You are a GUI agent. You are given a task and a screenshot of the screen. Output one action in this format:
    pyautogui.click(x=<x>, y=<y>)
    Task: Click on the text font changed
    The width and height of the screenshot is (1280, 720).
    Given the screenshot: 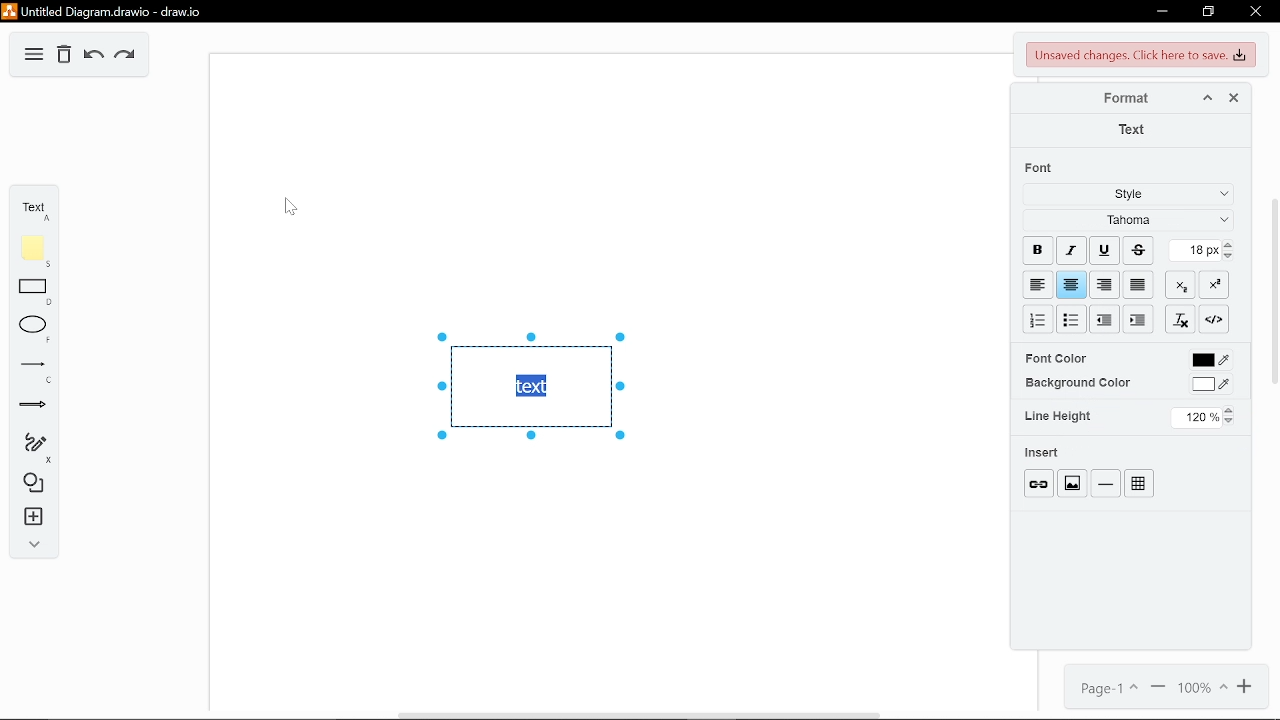 What is the action you would take?
    pyautogui.click(x=531, y=386)
    